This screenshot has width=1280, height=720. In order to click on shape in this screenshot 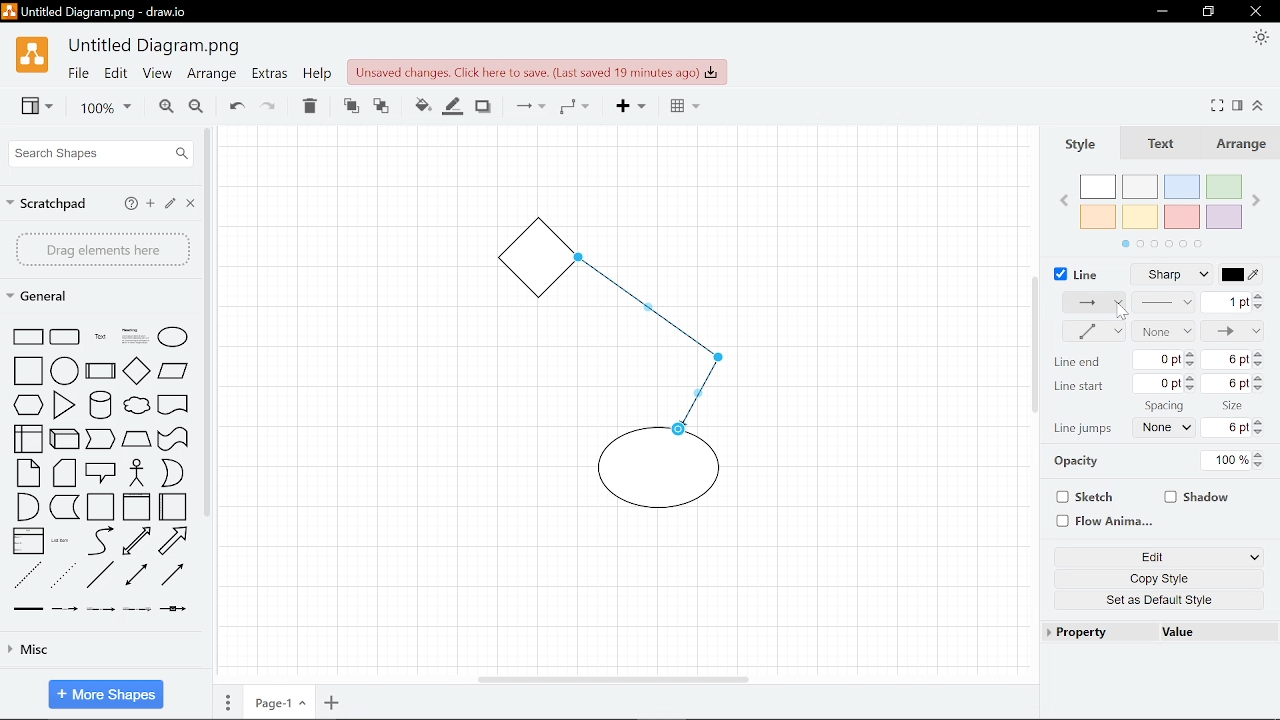, I will do `click(65, 508)`.